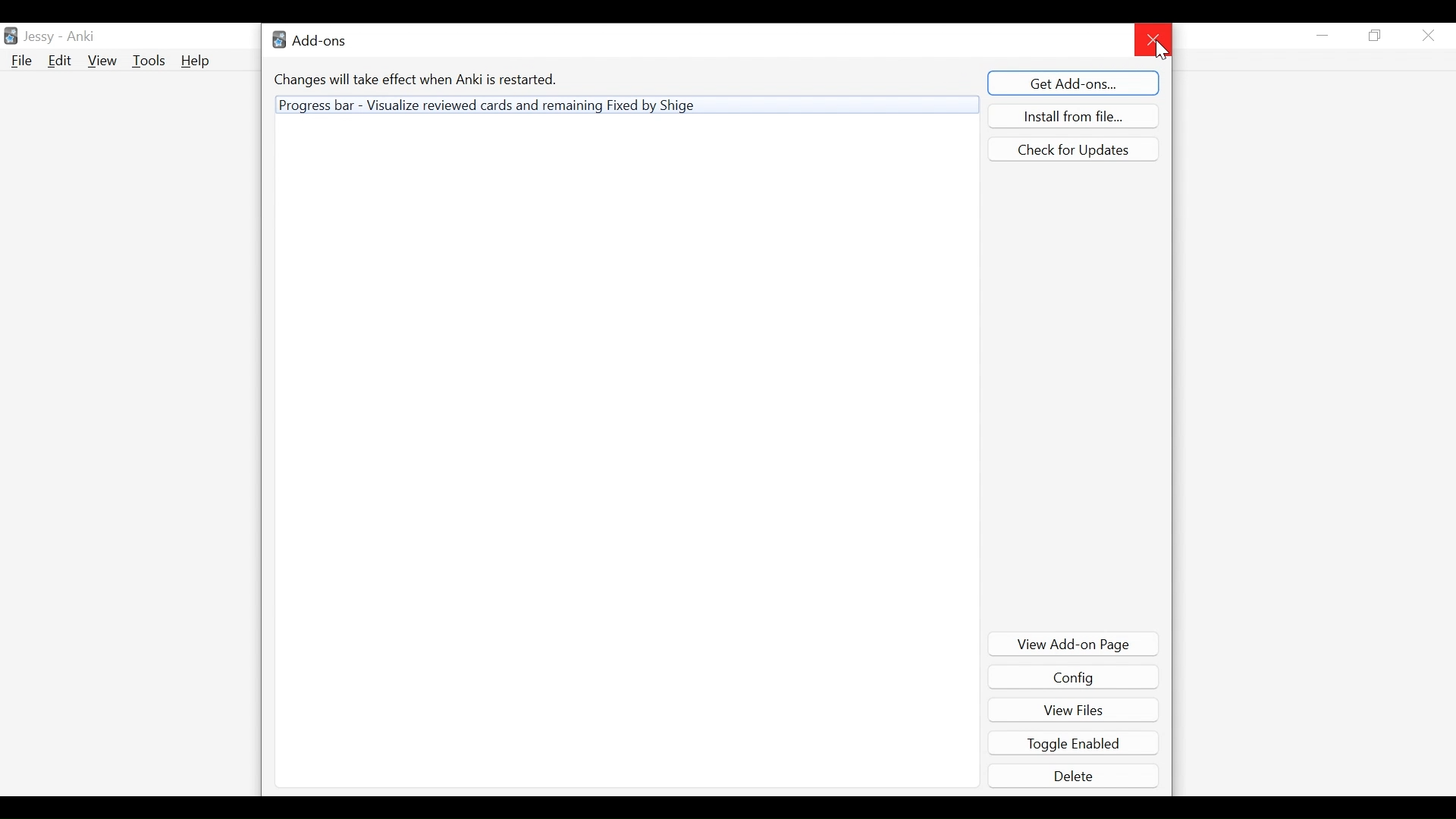  Describe the element at coordinates (61, 35) in the screenshot. I see `User Name` at that location.